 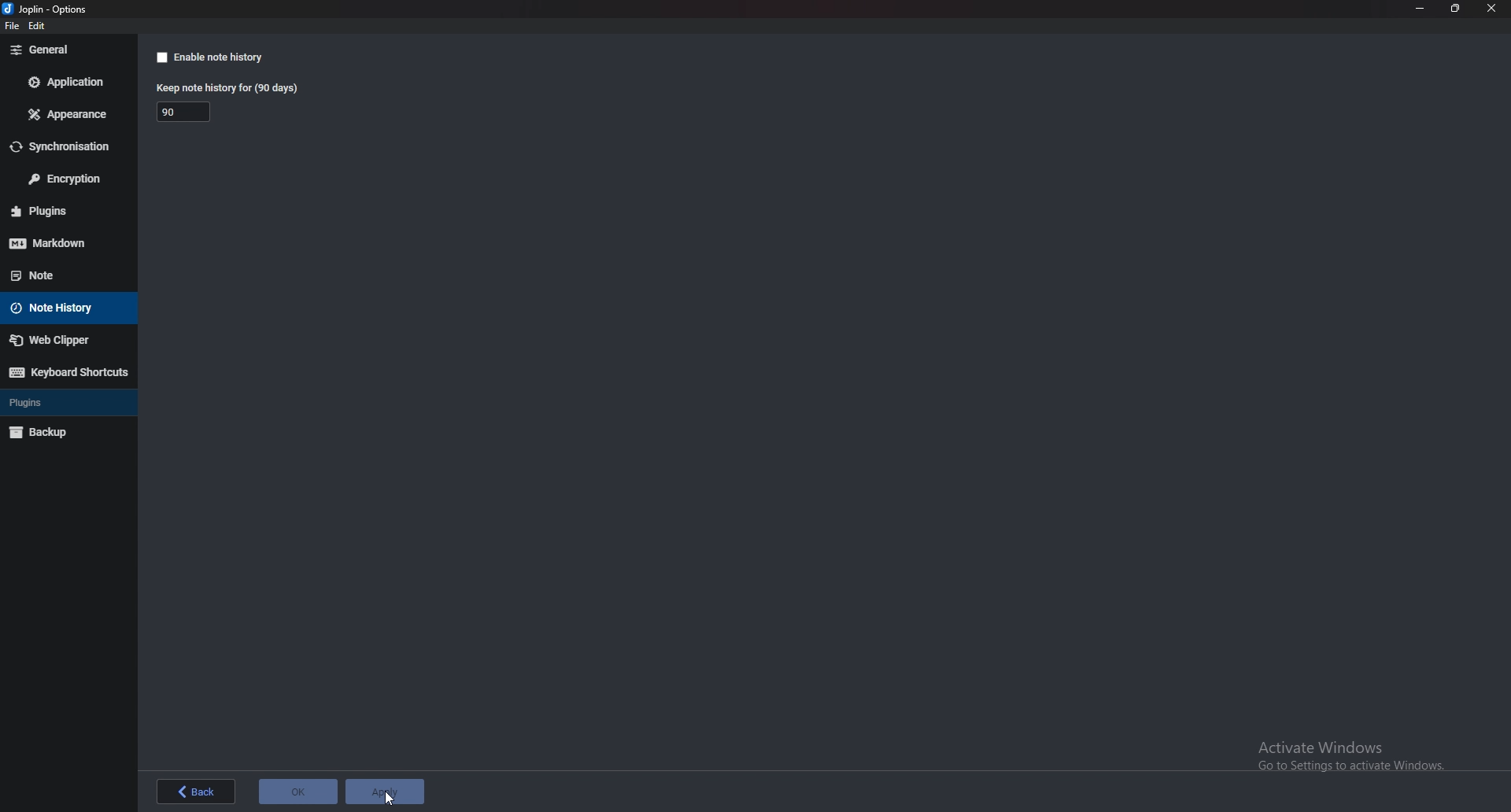 I want to click on minimize, so click(x=1421, y=8).